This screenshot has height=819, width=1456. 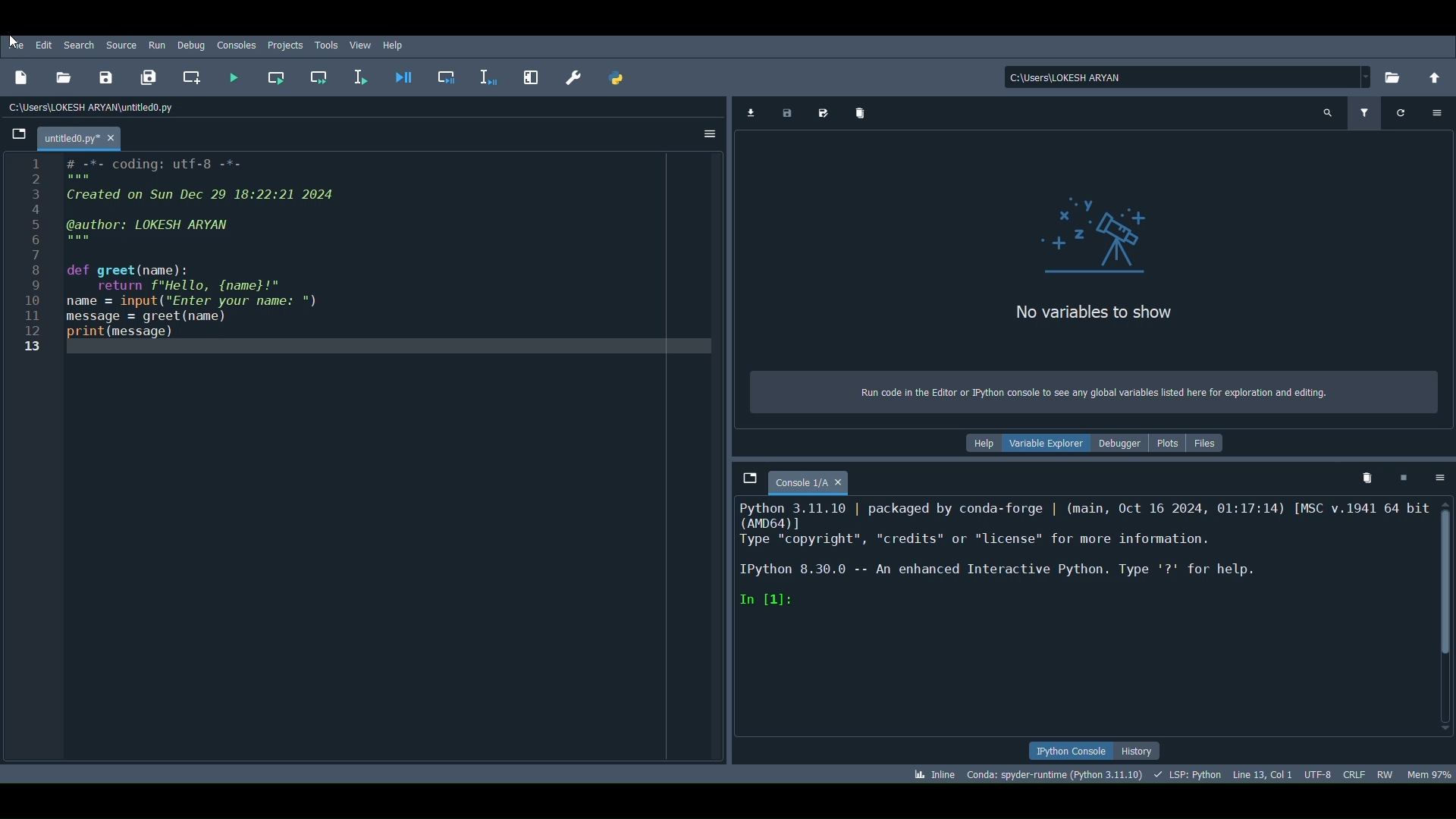 I want to click on Variables, so click(x=1106, y=234).